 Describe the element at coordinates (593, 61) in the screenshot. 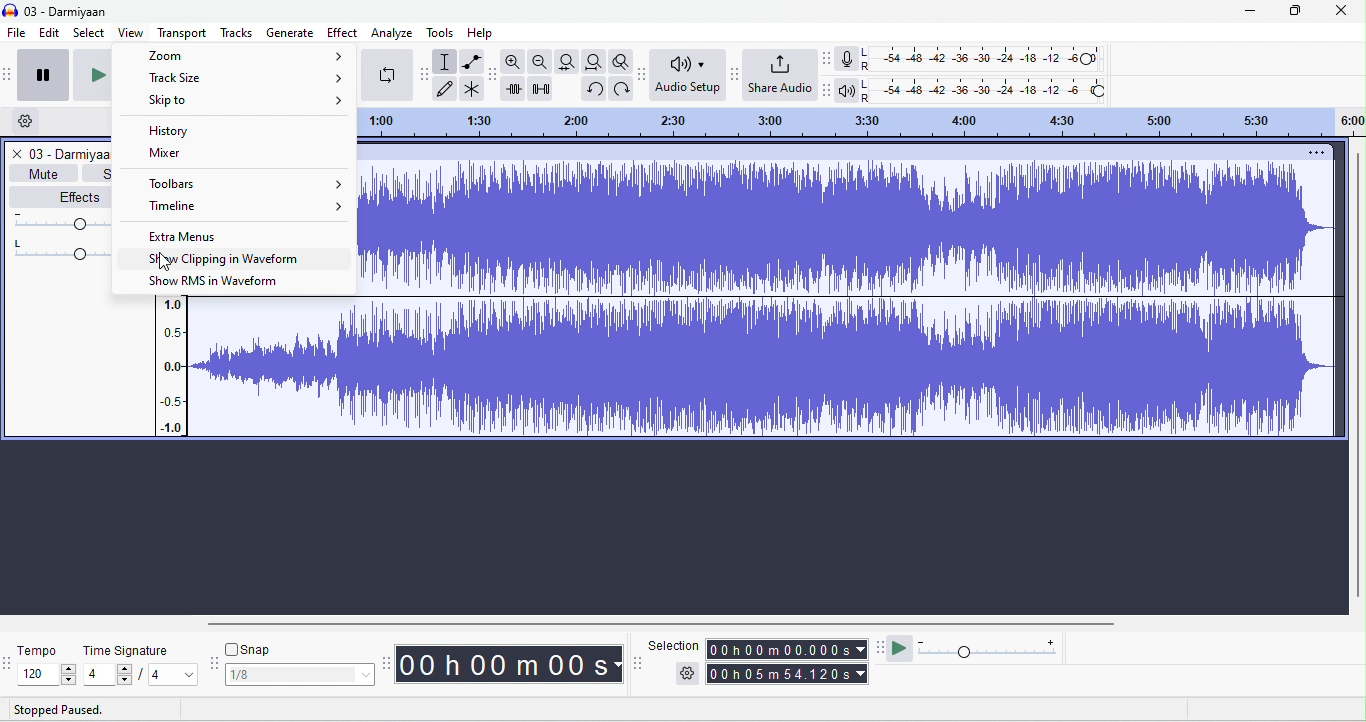

I see `fit to project width` at that location.